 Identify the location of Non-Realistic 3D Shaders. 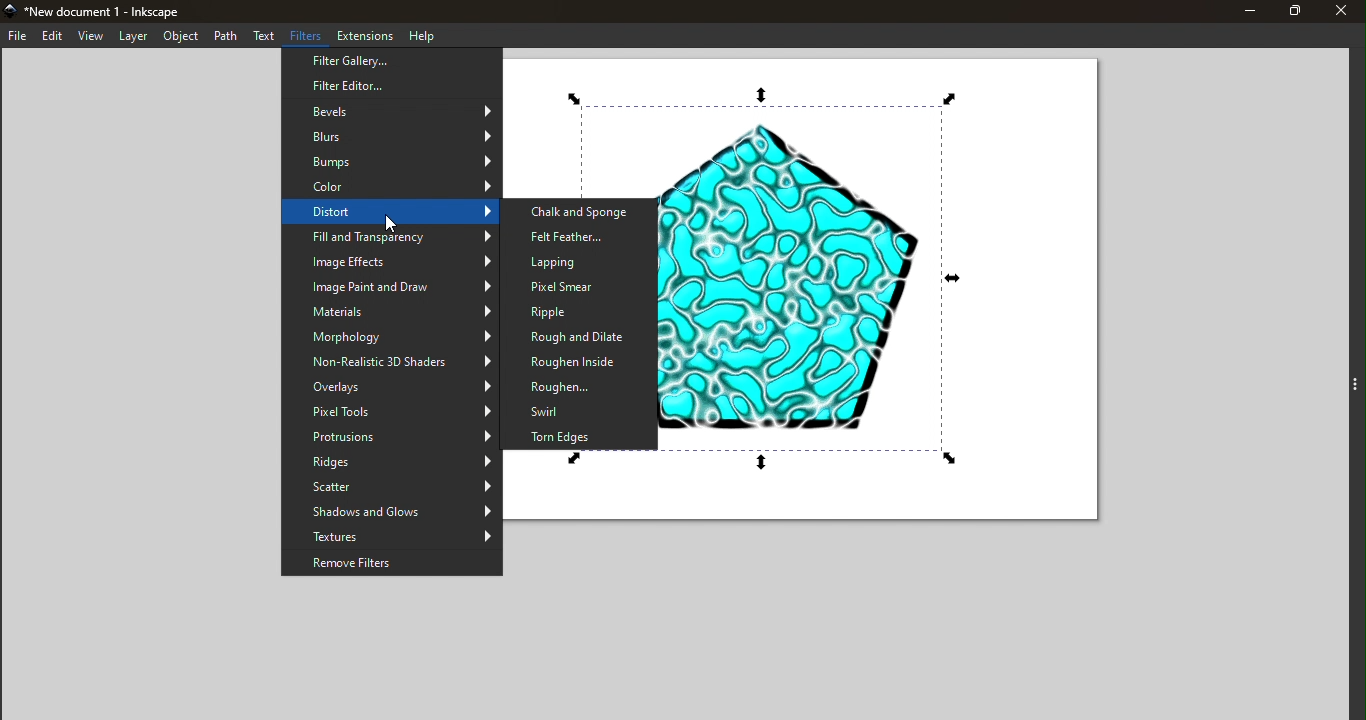
(392, 363).